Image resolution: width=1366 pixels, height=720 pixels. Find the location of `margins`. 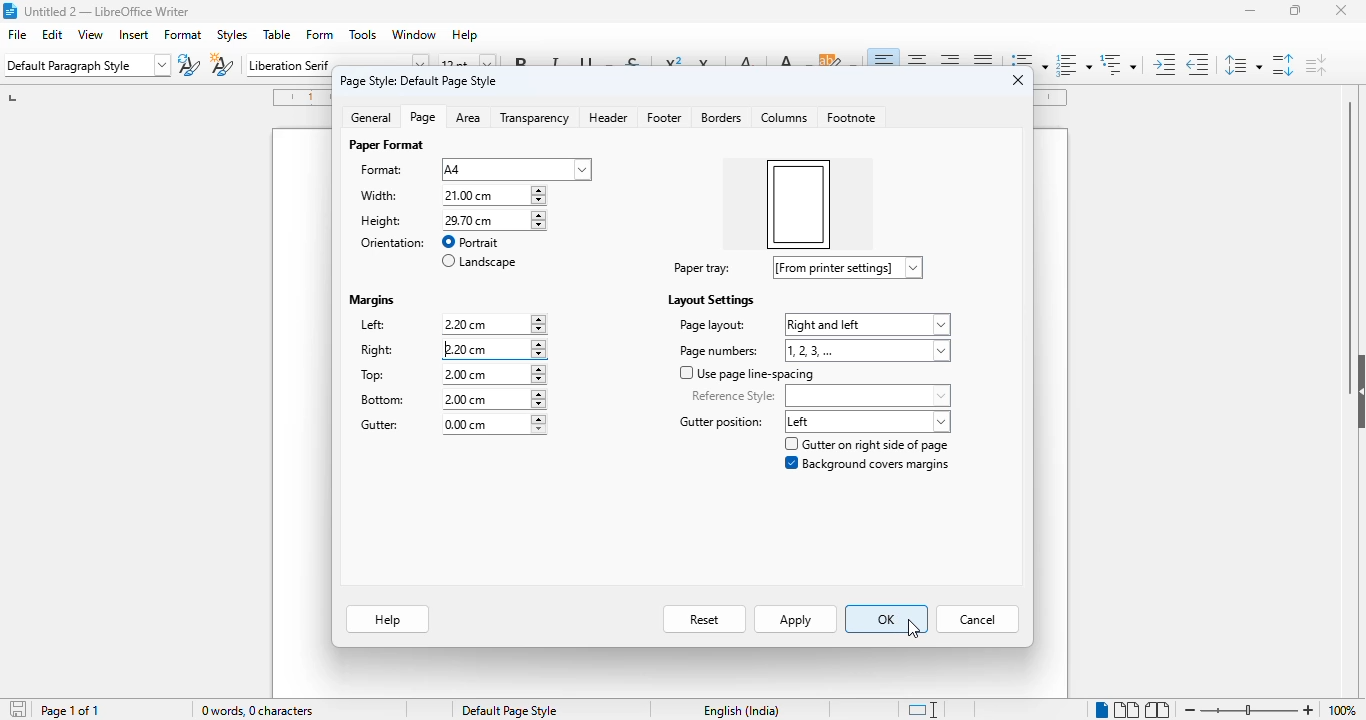

margins is located at coordinates (371, 300).